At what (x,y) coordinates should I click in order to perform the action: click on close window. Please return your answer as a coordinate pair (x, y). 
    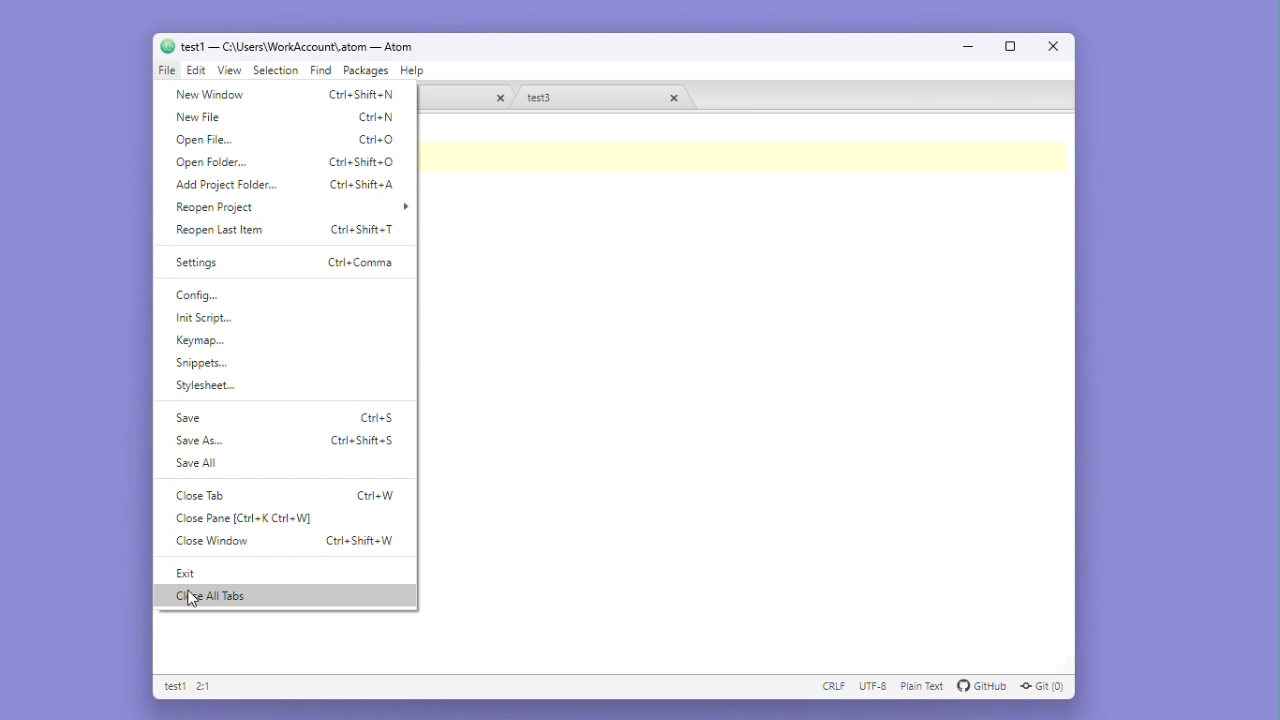
    Looking at the image, I should click on (216, 540).